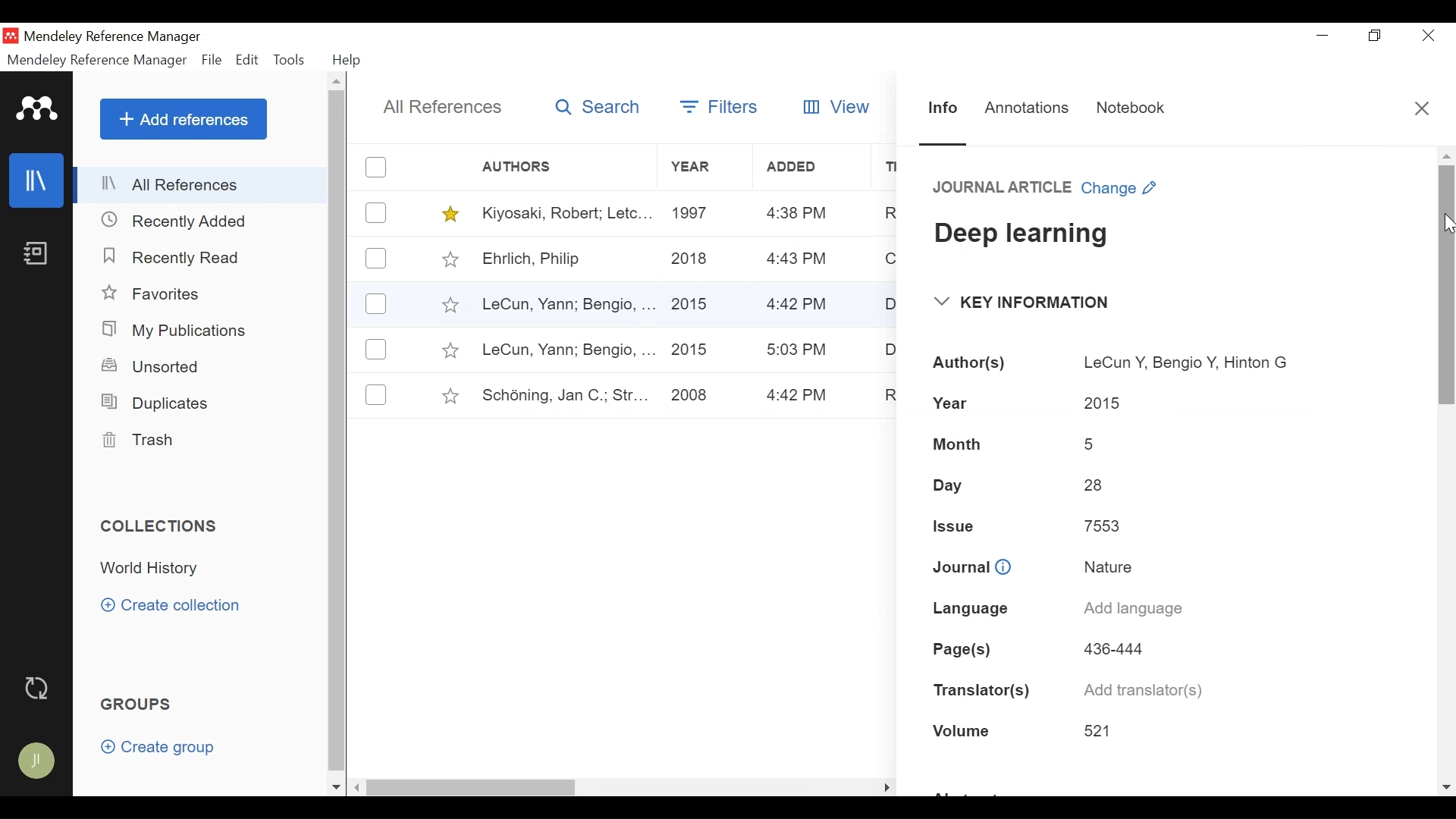 Image resolution: width=1456 pixels, height=819 pixels. Describe the element at coordinates (1446, 155) in the screenshot. I see `scroll up` at that location.